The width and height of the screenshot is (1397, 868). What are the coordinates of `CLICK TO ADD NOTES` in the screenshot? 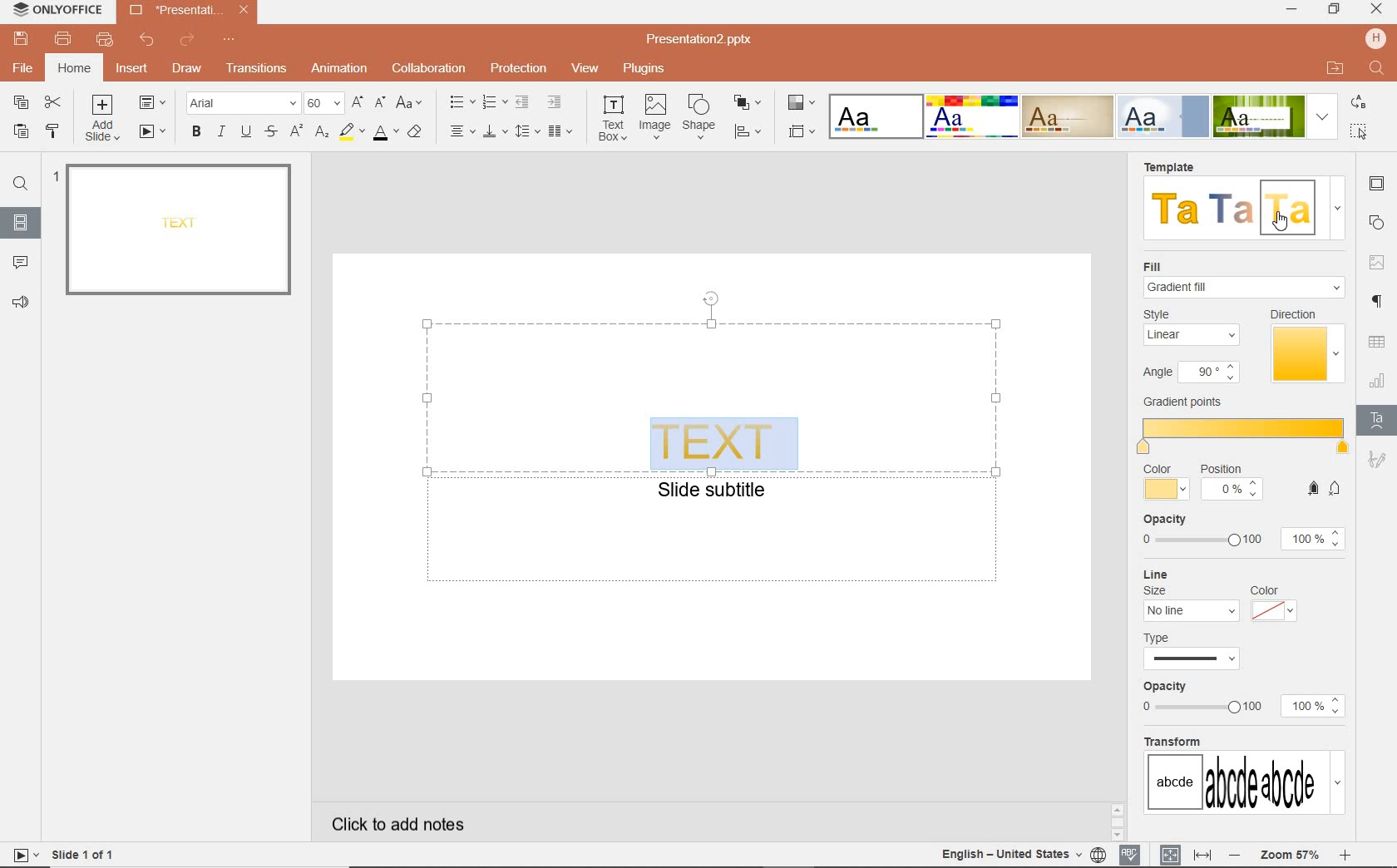 It's located at (412, 824).